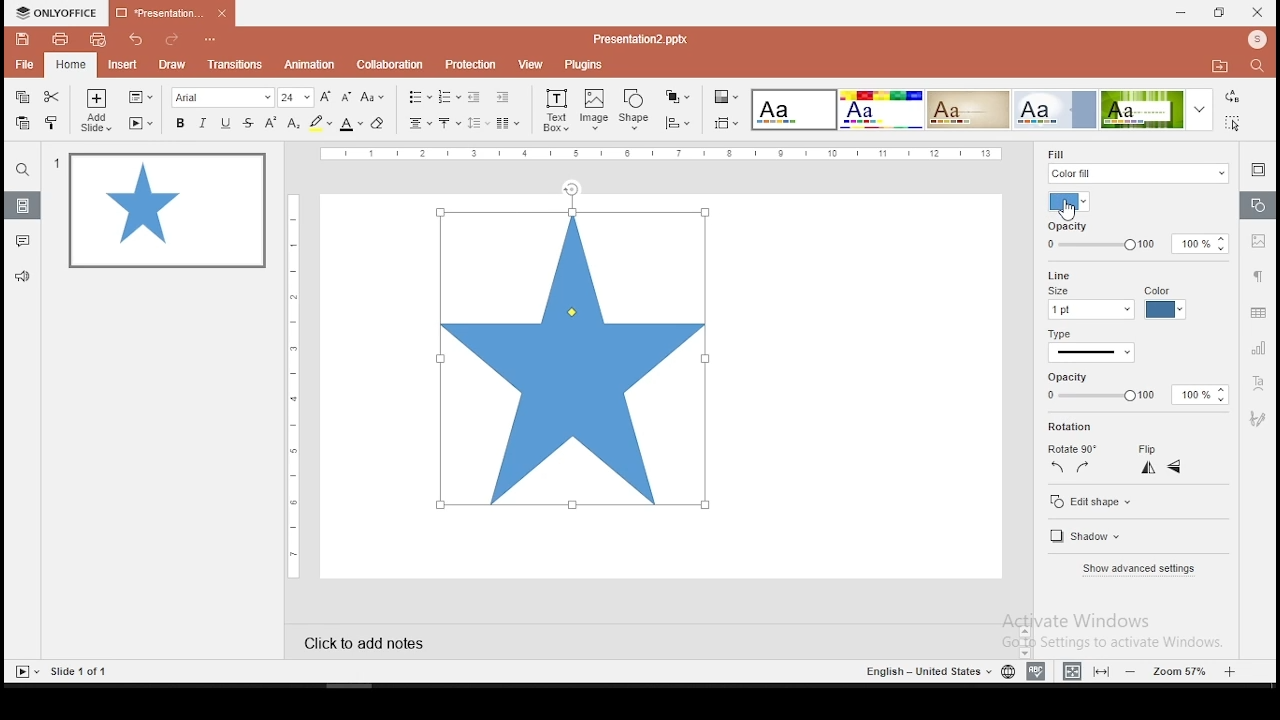 This screenshot has width=1280, height=720. I want to click on spacing, so click(477, 123).